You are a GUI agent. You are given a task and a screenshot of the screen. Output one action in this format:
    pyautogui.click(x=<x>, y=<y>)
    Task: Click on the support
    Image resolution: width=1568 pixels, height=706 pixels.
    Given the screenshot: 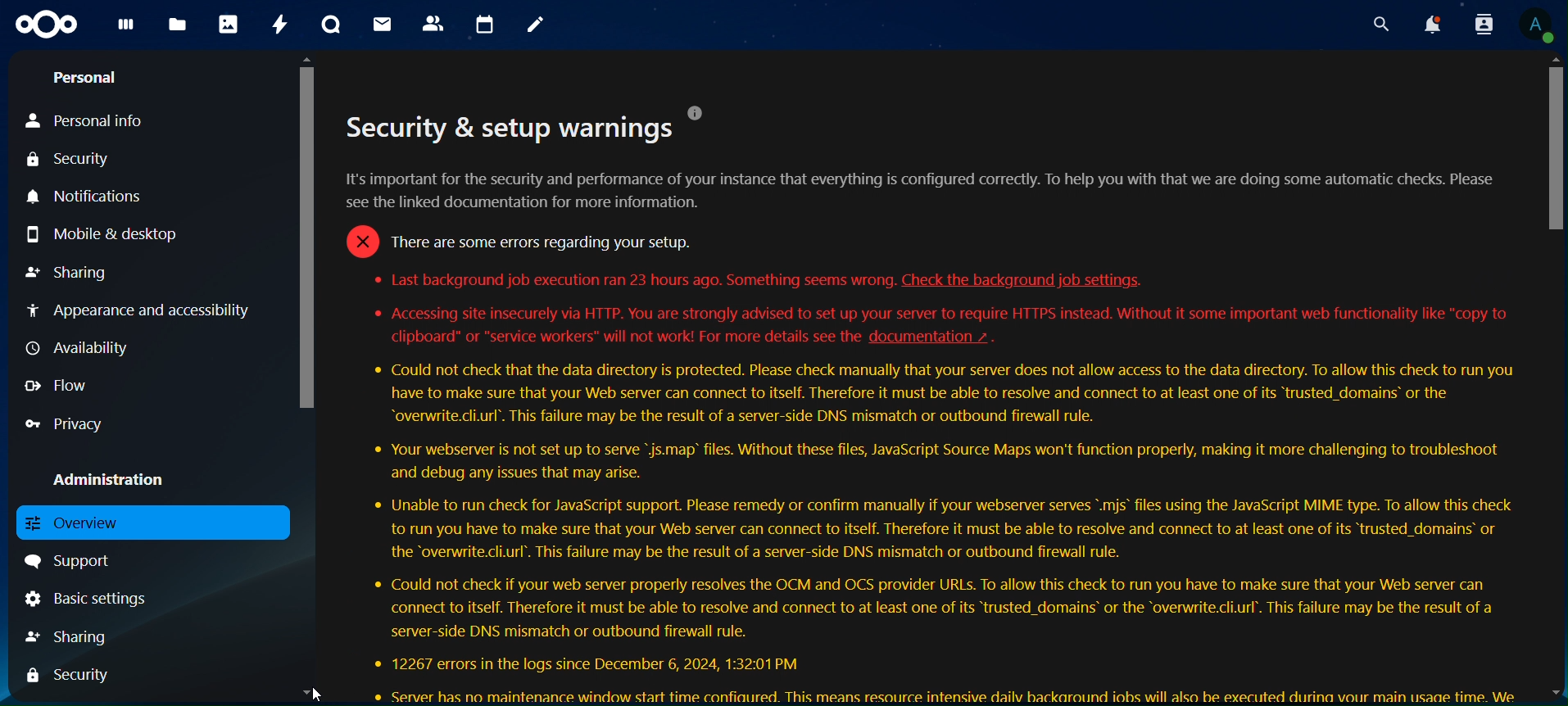 What is the action you would take?
    pyautogui.click(x=70, y=562)
    